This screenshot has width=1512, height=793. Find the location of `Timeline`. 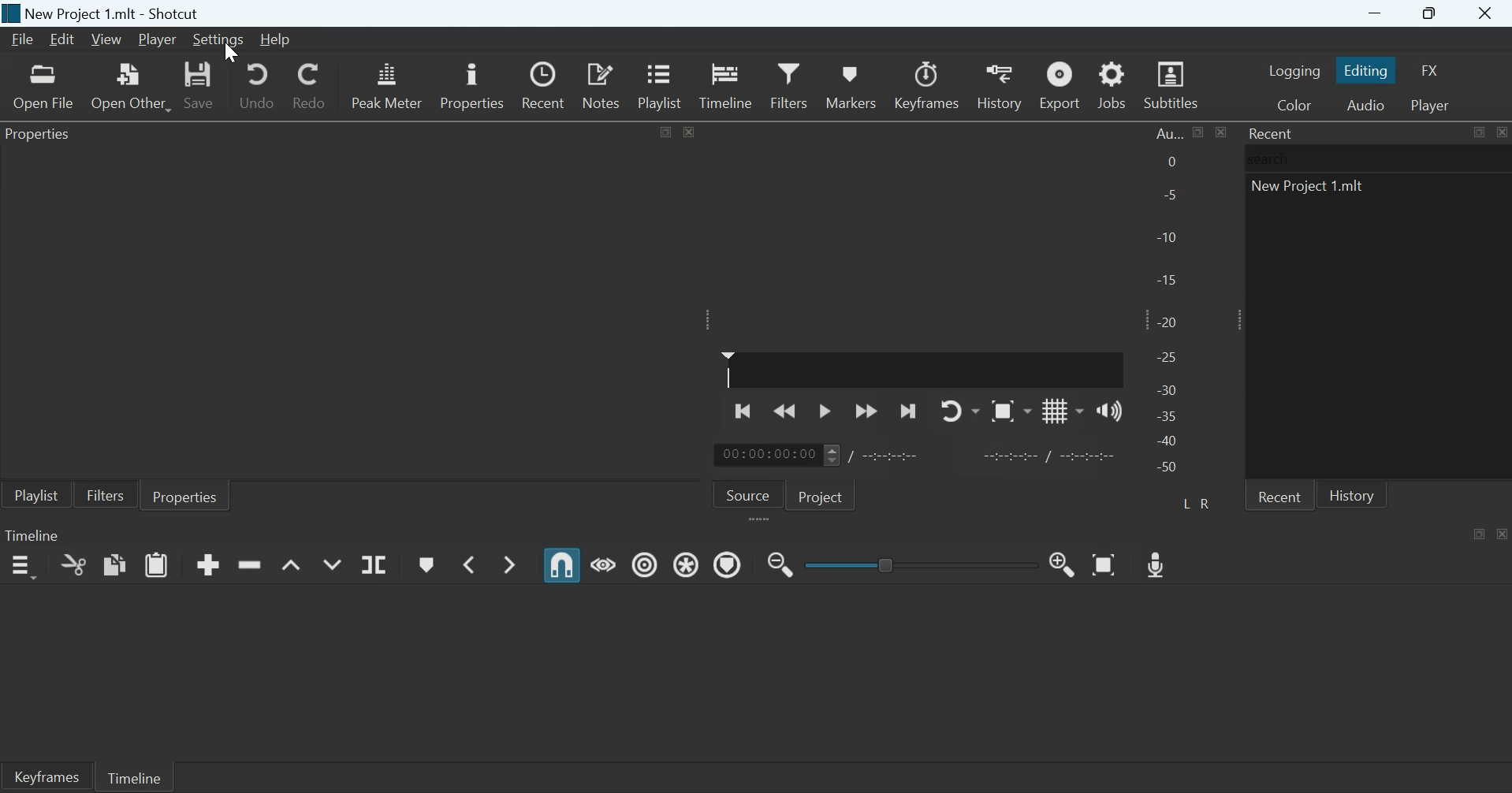

Timeline is located at coordinates (133, 776).